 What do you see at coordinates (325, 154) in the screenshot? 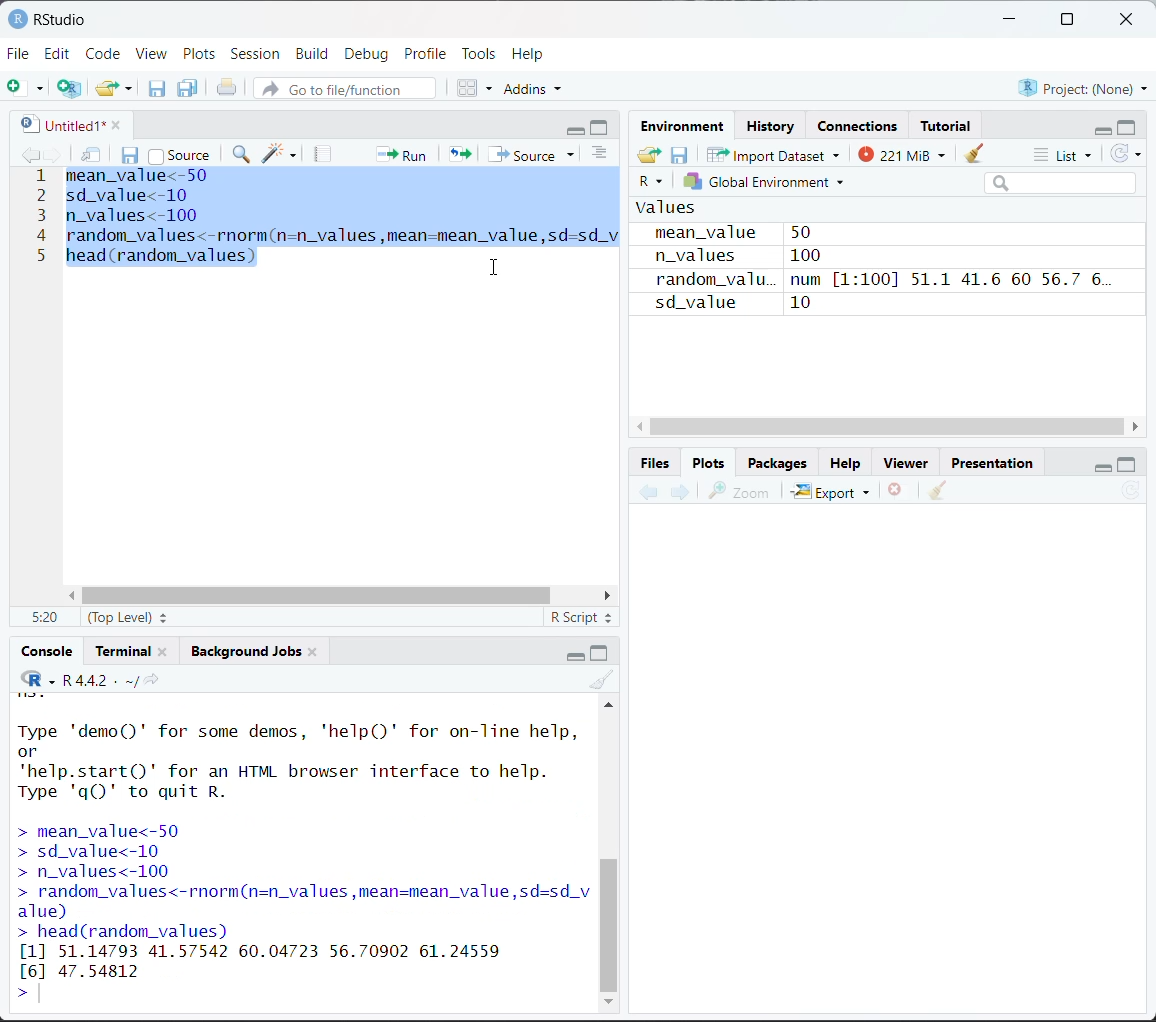
I see `compile report` at bounding box center [325, 154].